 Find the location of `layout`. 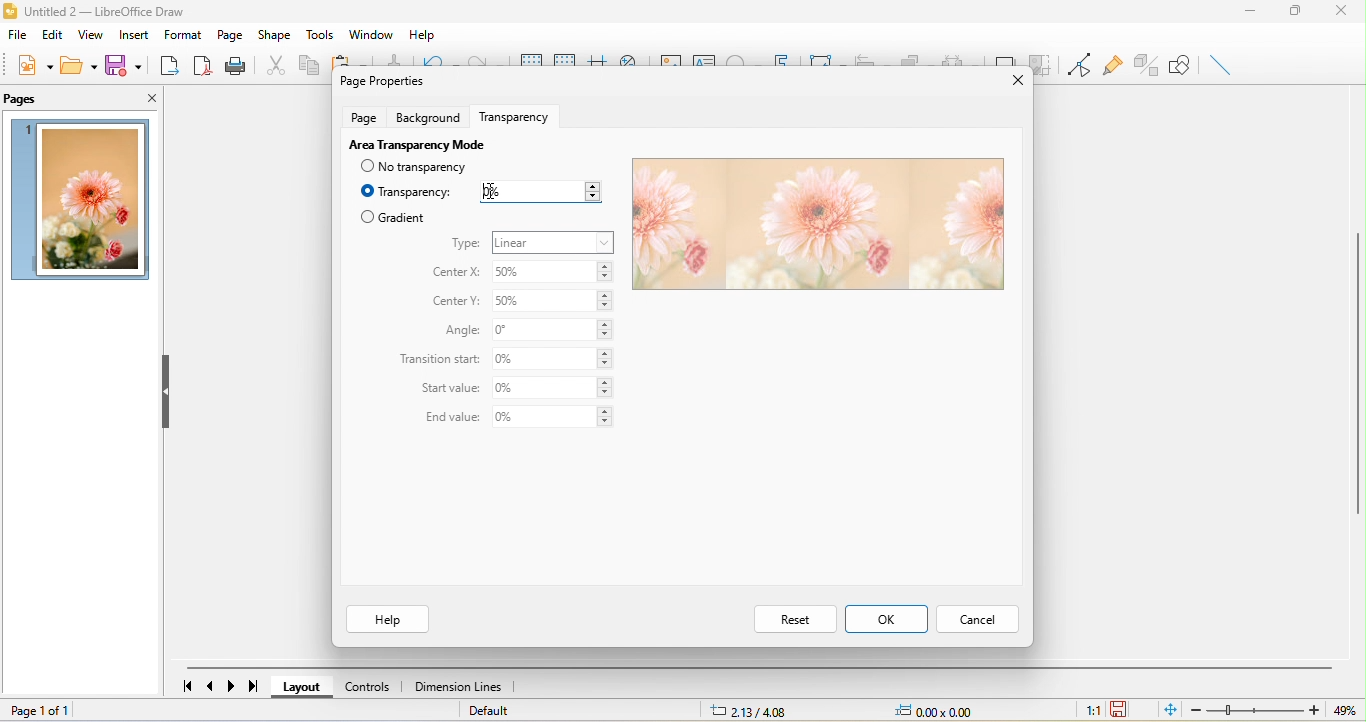

layout is located at coordinates (307, 687).